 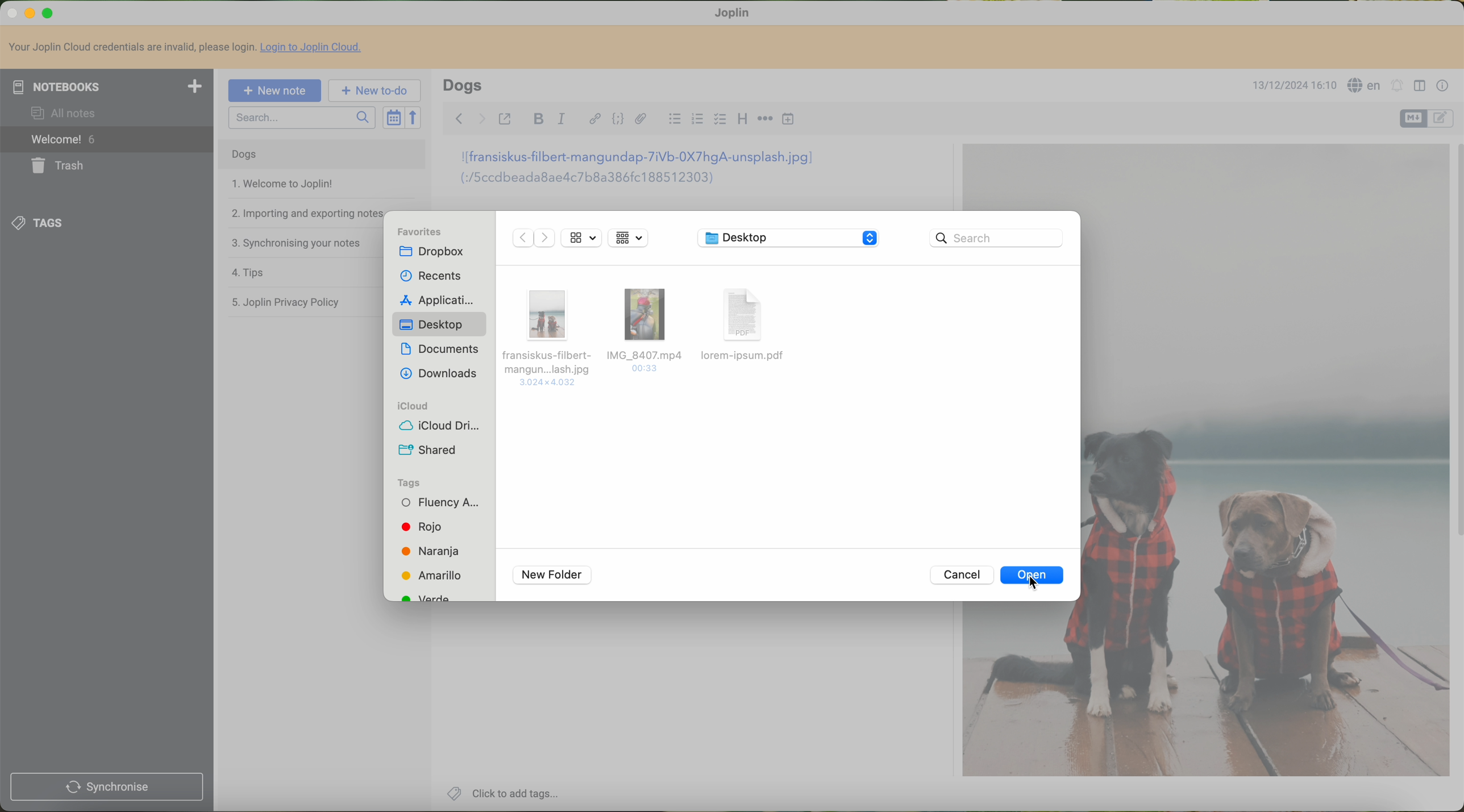 What do you see at coordinates (698, 120) in the screenshot?
I see `numbered list` at bounding box center [698, 120].